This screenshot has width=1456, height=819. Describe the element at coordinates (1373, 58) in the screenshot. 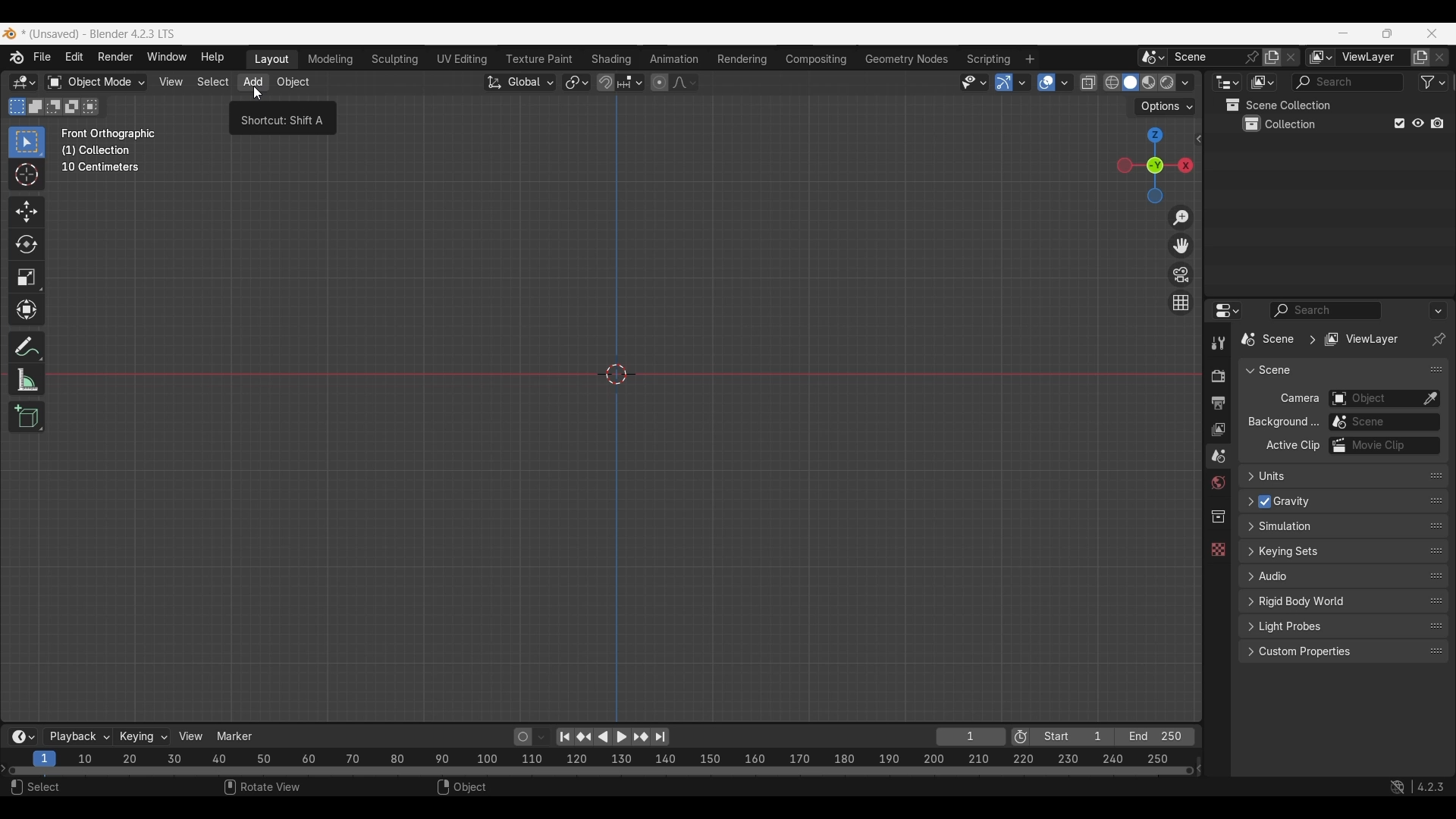

I see `Name view layer` at that location.